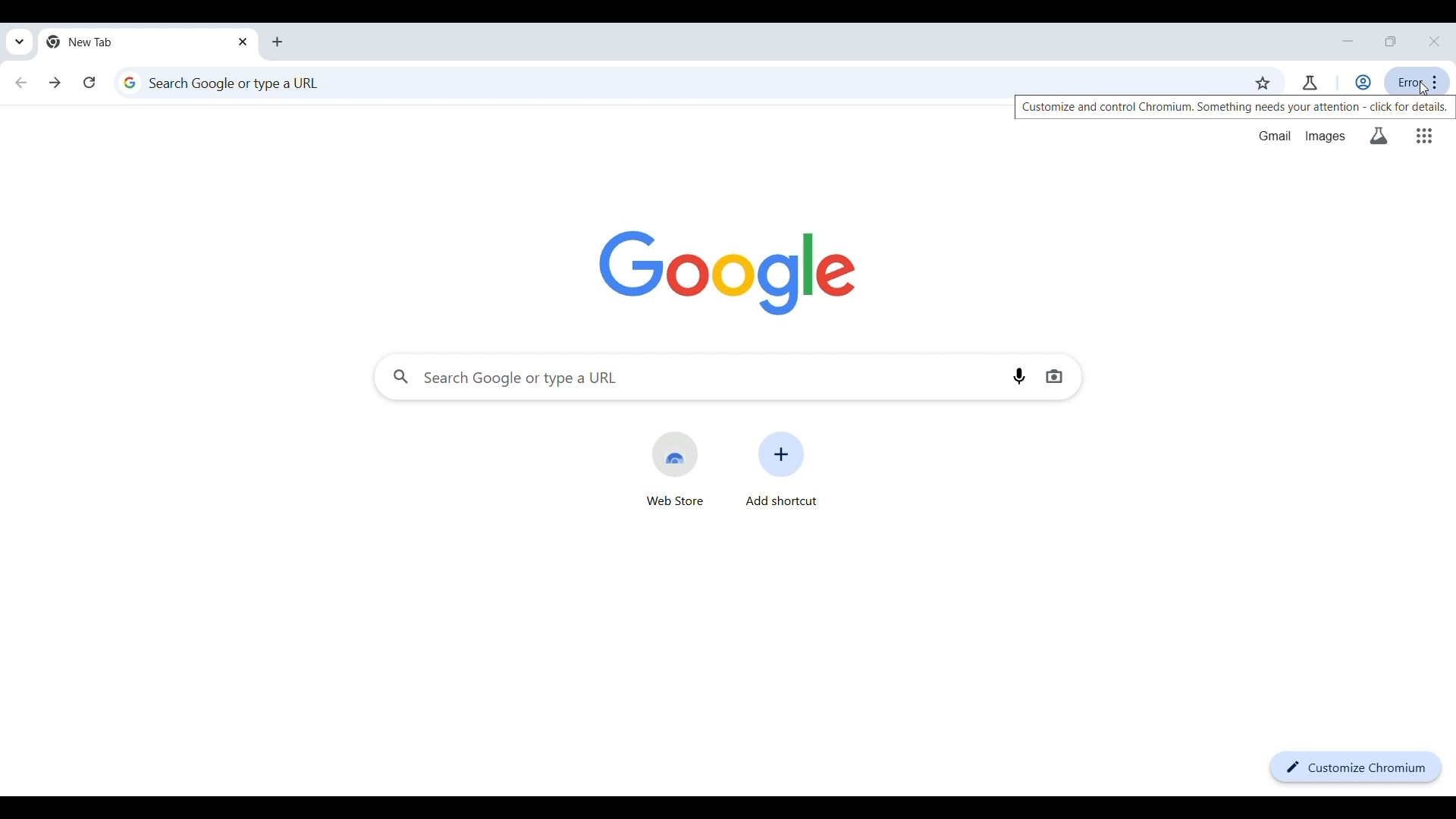 This screenshot has width=1456, height=819. Describe the element at coordinates (1325, 137) in the screenshot. I see `Search Google images` at that location.